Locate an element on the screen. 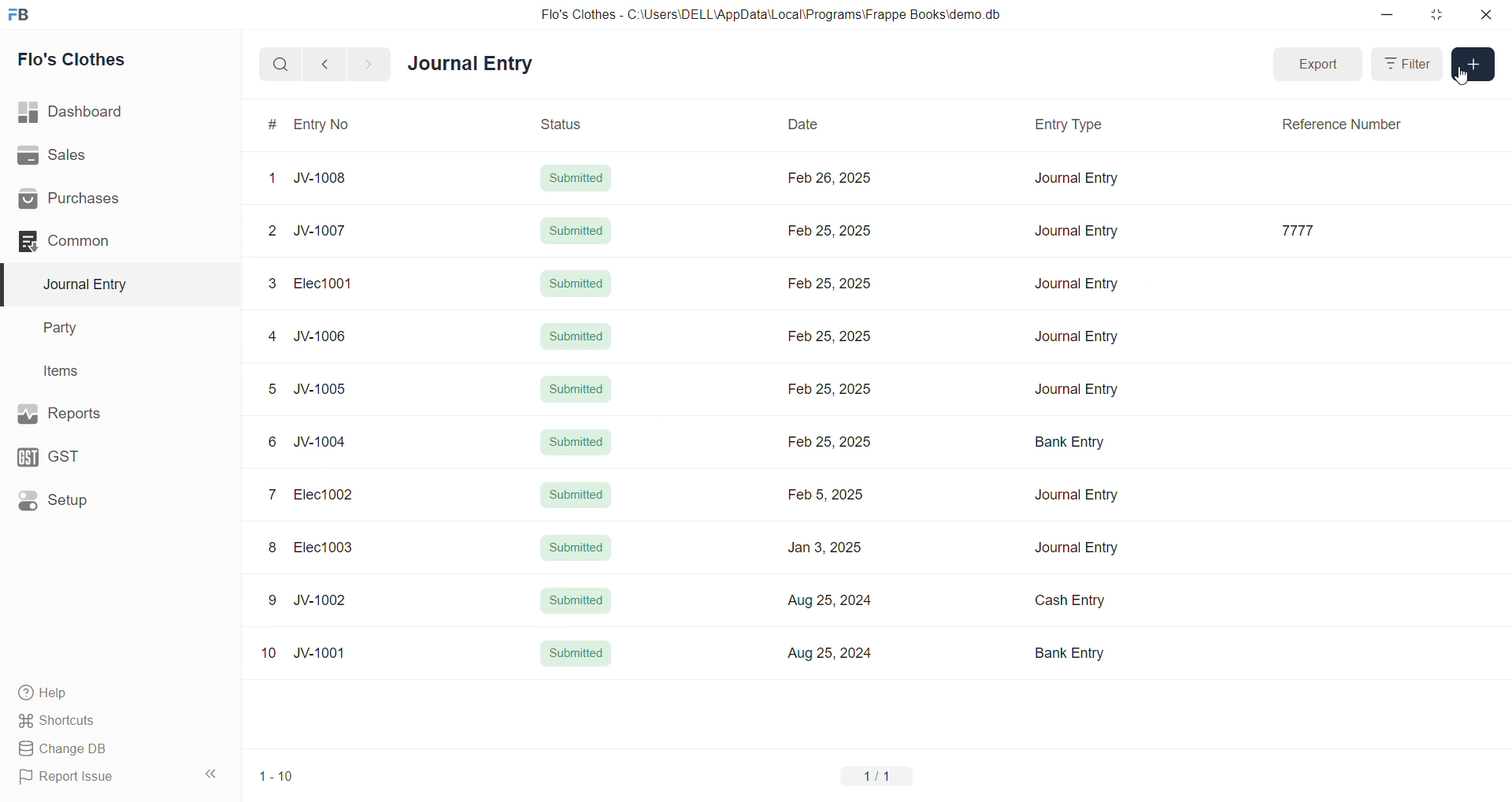  Bank Entry is located at coordinates (1073, 653).